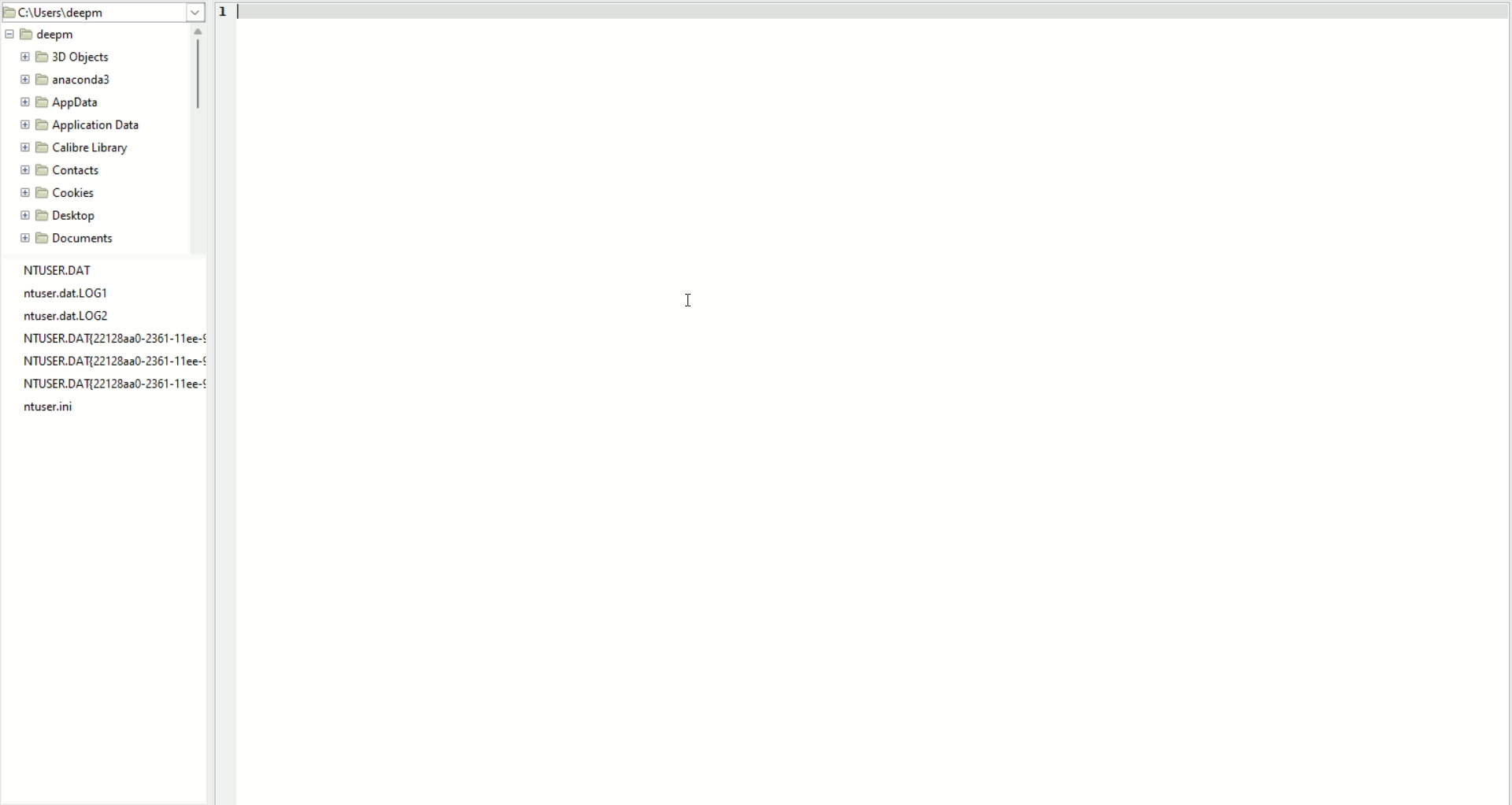 The width and height of the screenshot is (1512, 805). Describe the element at coordinates (110, 361) in the screenshot. I see `file name` at that location.